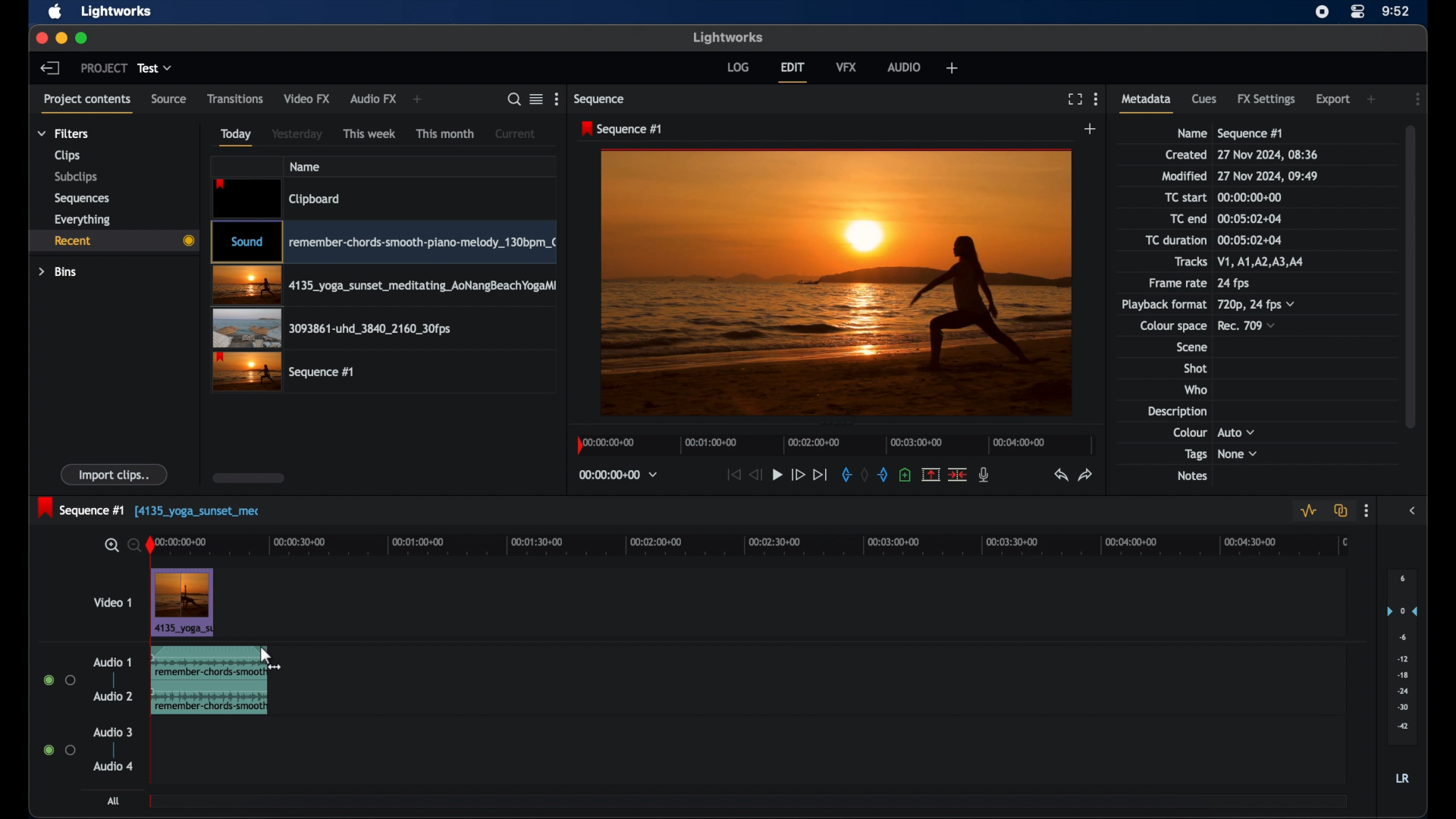 This screenshot has height=819, width=1456. I want to click on redo, so click(1086, 474).